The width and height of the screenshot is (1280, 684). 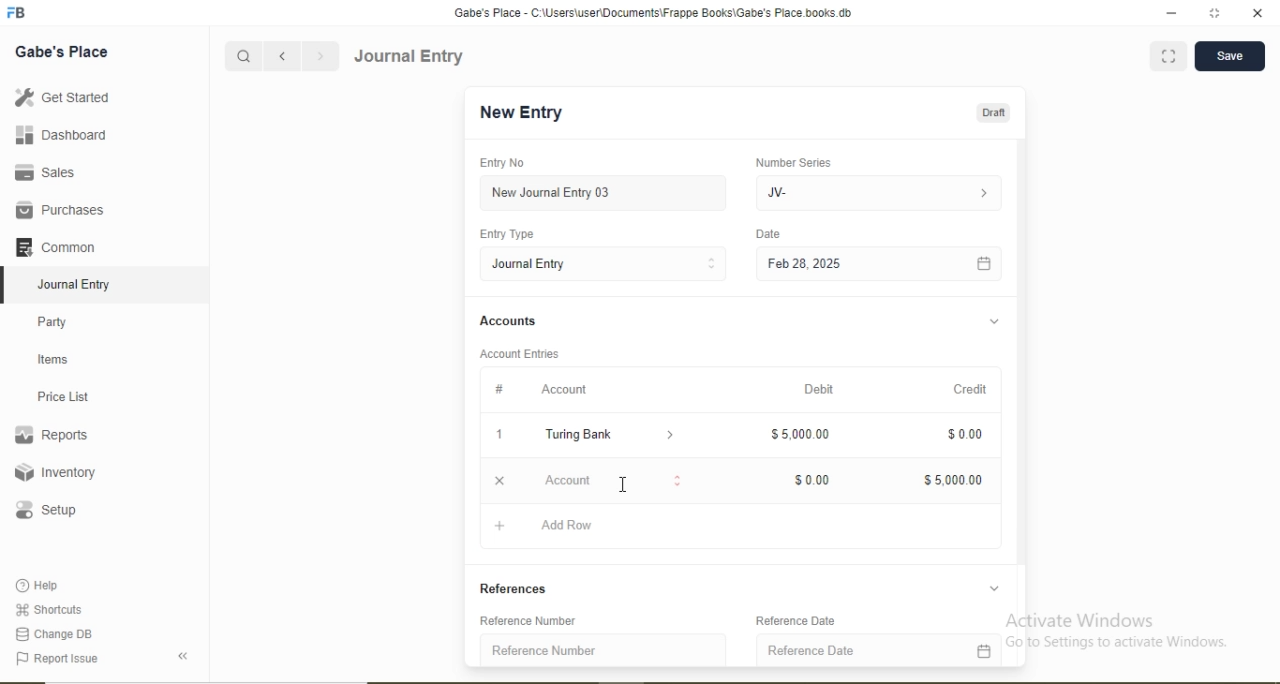 I want to click on minimize, so click(x=1169, y=14).